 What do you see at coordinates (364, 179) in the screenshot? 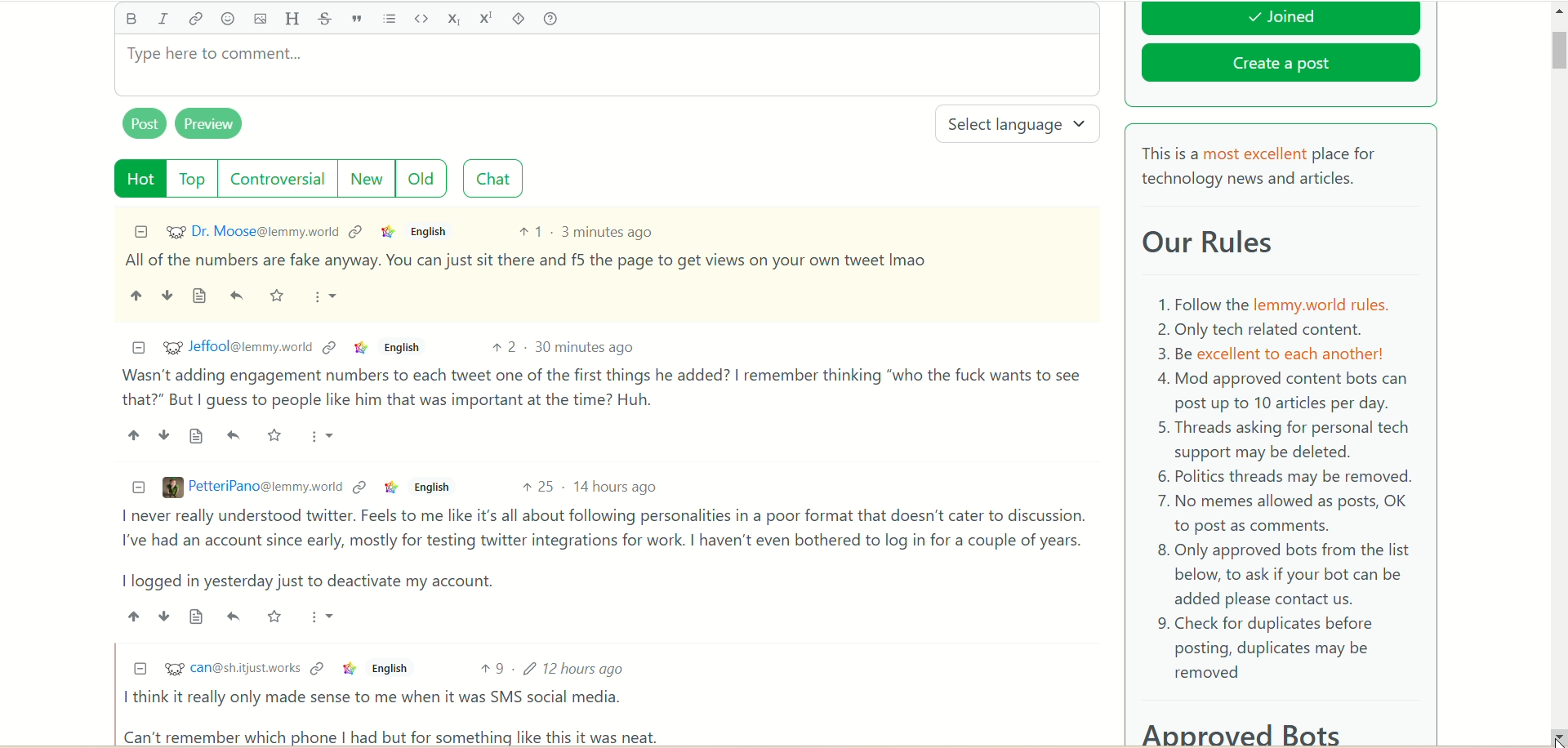
I see `new` at bounding box center [364, 179].